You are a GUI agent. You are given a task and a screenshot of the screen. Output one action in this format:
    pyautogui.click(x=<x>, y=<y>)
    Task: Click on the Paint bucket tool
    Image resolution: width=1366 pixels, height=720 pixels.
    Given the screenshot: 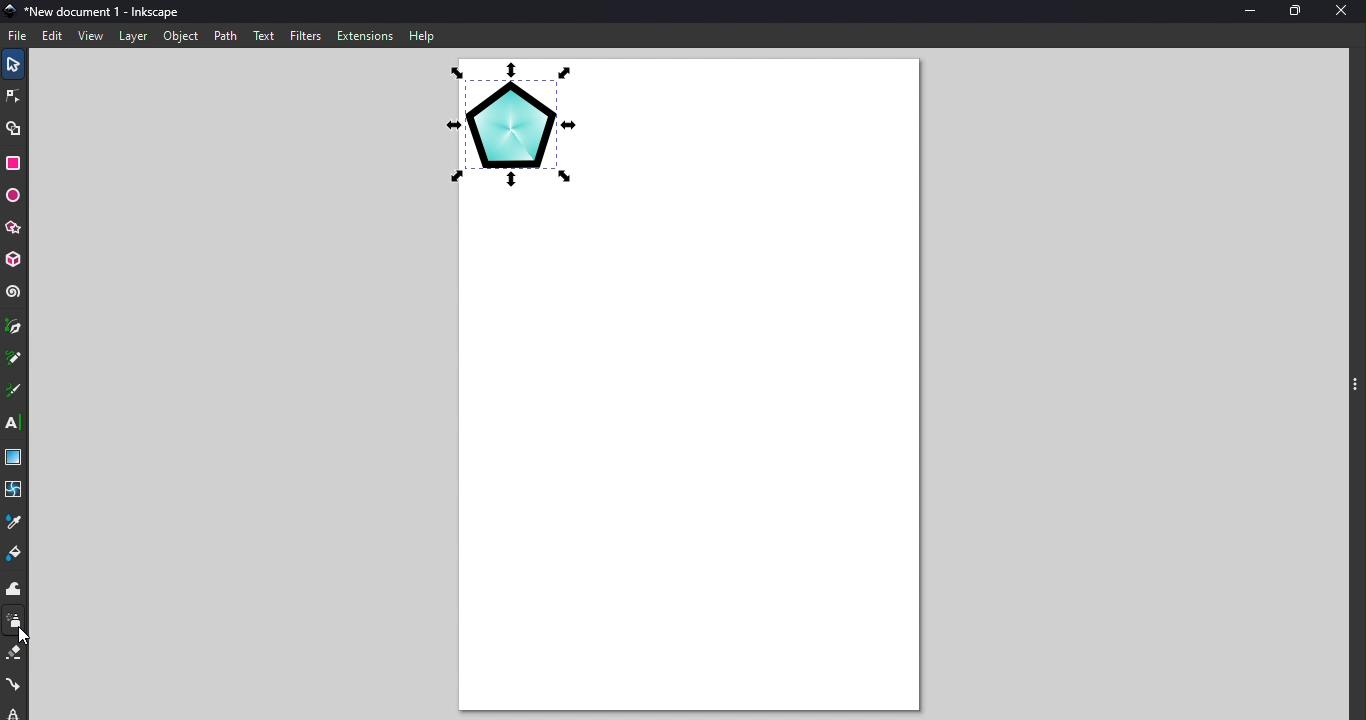 What is the action you would take?
    pyautogui.click(x=13, y=556)
    